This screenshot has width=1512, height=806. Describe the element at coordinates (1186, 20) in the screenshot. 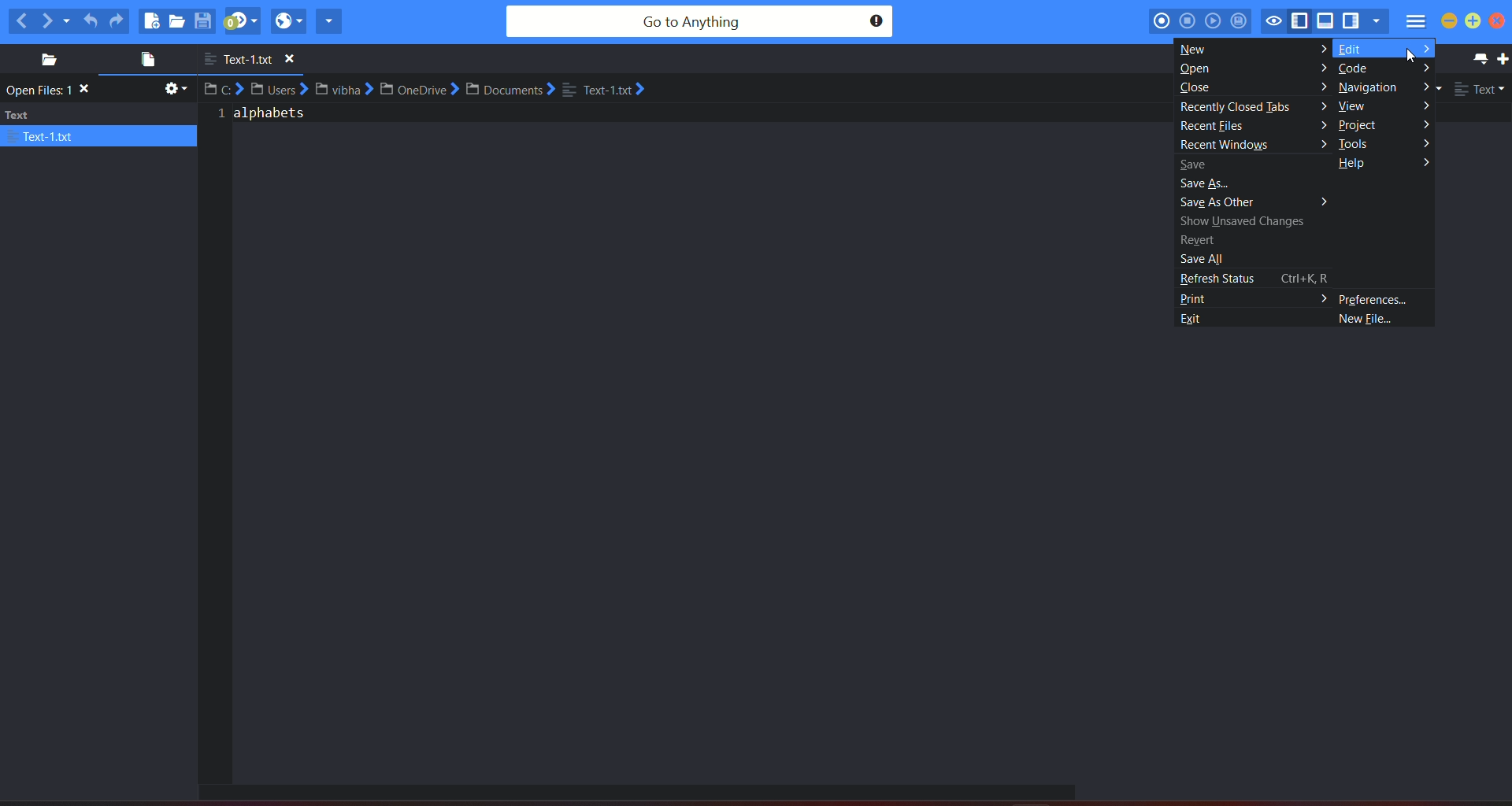

I see `stop recording` at that location.